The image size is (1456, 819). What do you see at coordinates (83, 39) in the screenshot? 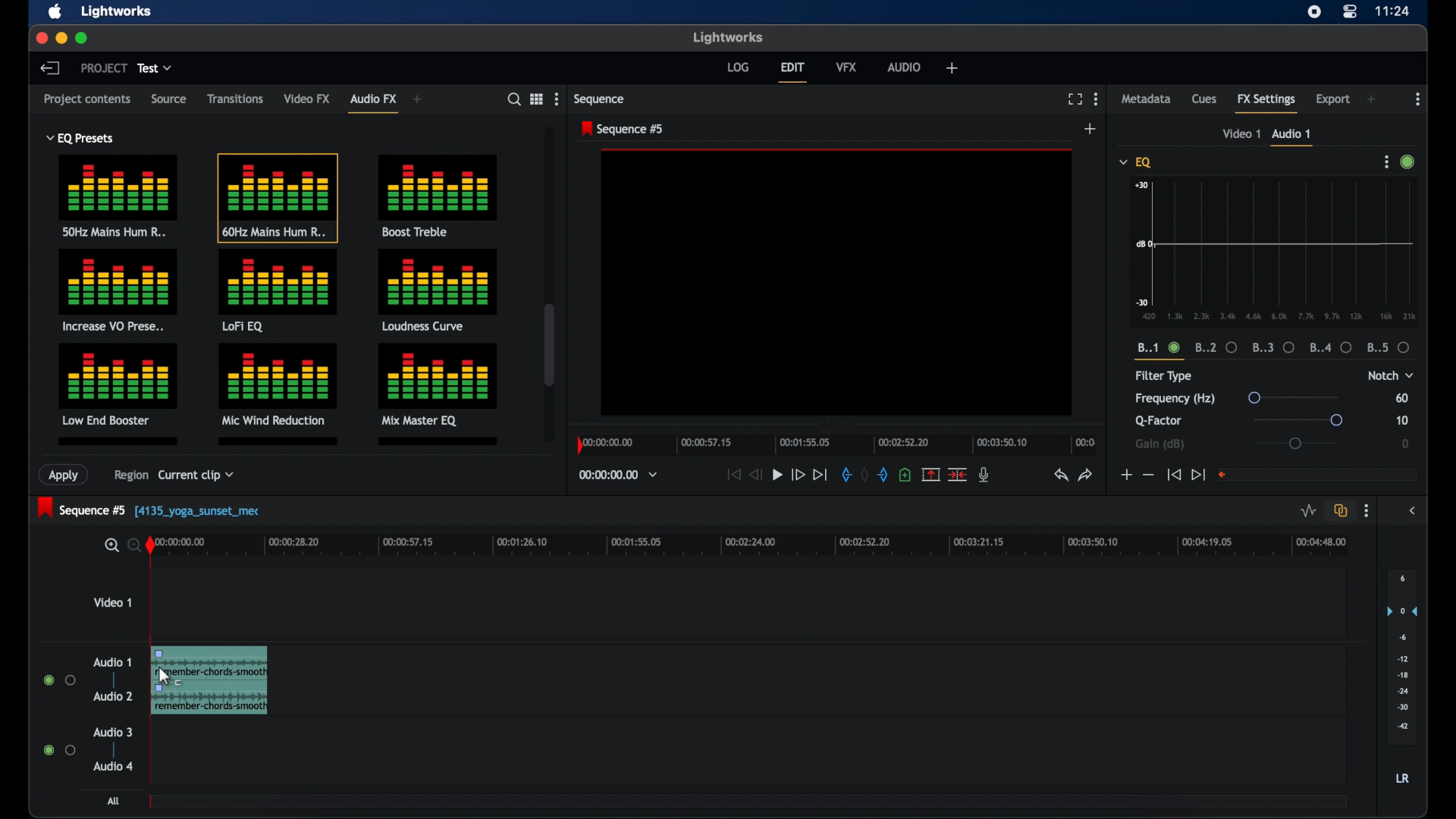
I see `maximize` at bounding box center [83, 39].